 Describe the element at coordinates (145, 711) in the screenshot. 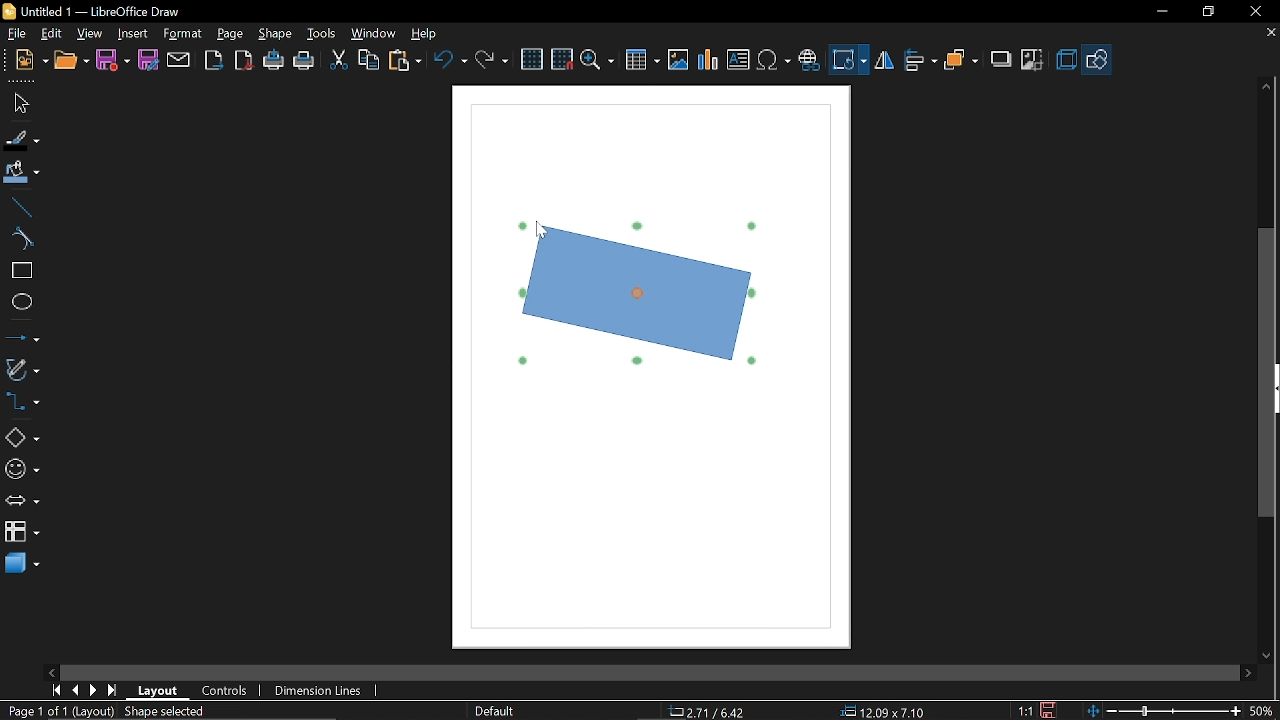

I see `(Layout) Shape selected` at that location.